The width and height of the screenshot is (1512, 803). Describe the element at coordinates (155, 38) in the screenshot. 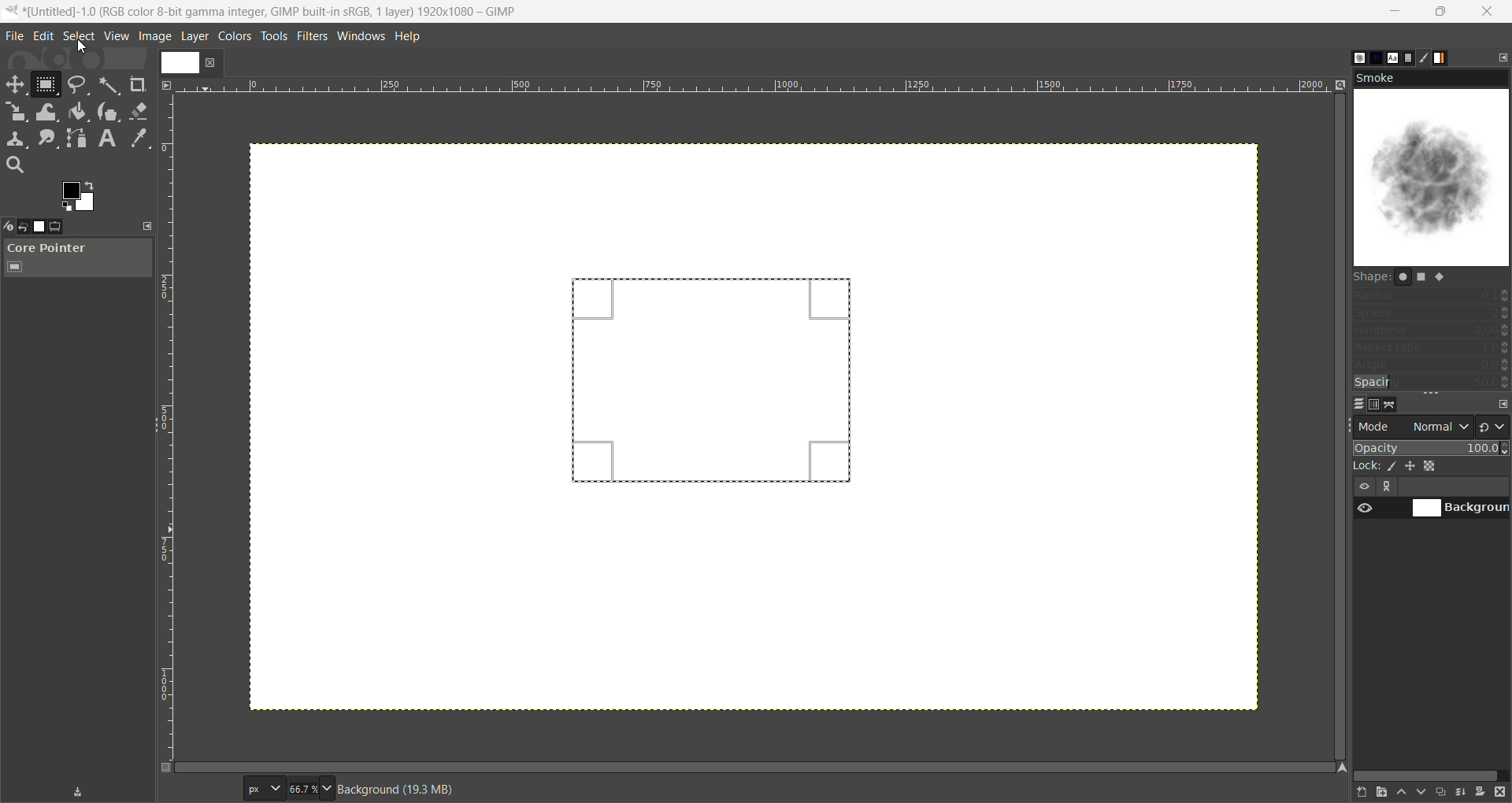

I see `image` at that location.